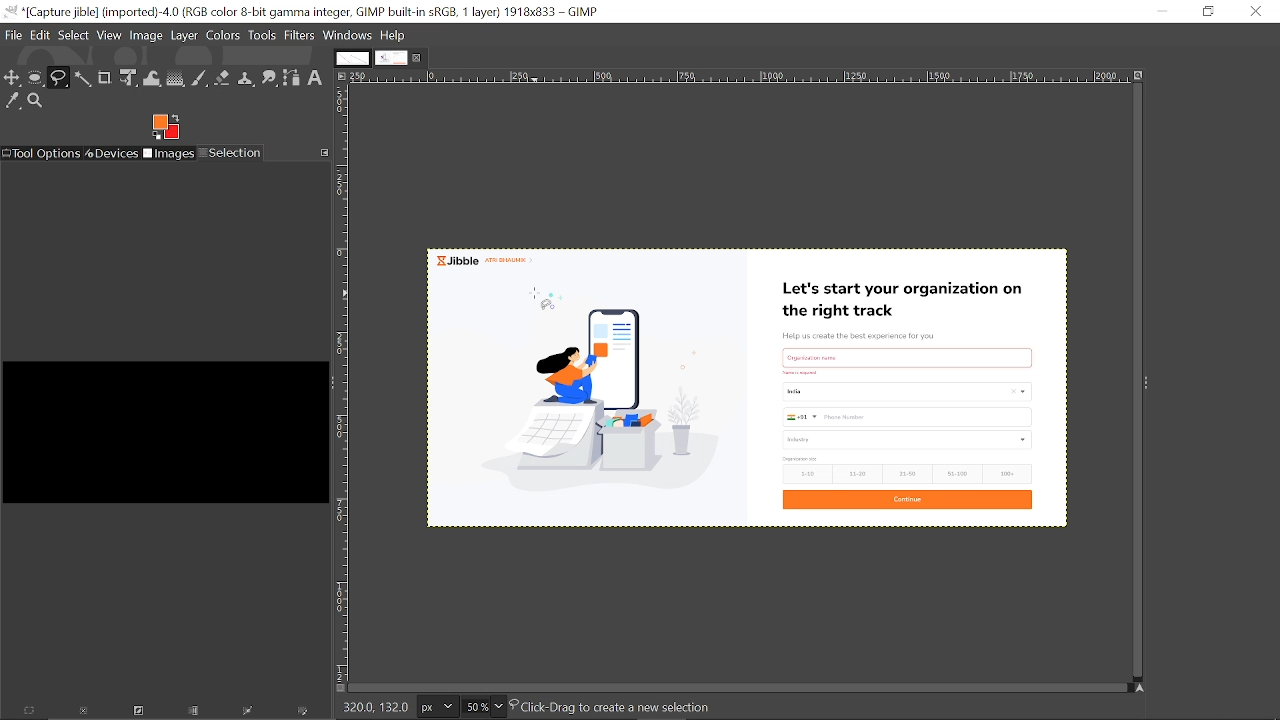 The height and width of the screenshot is (720, 1280). What do you see at coordinates (436, 707) in the screenshot?
I see `Current image units` at bounding box center [436, 707].